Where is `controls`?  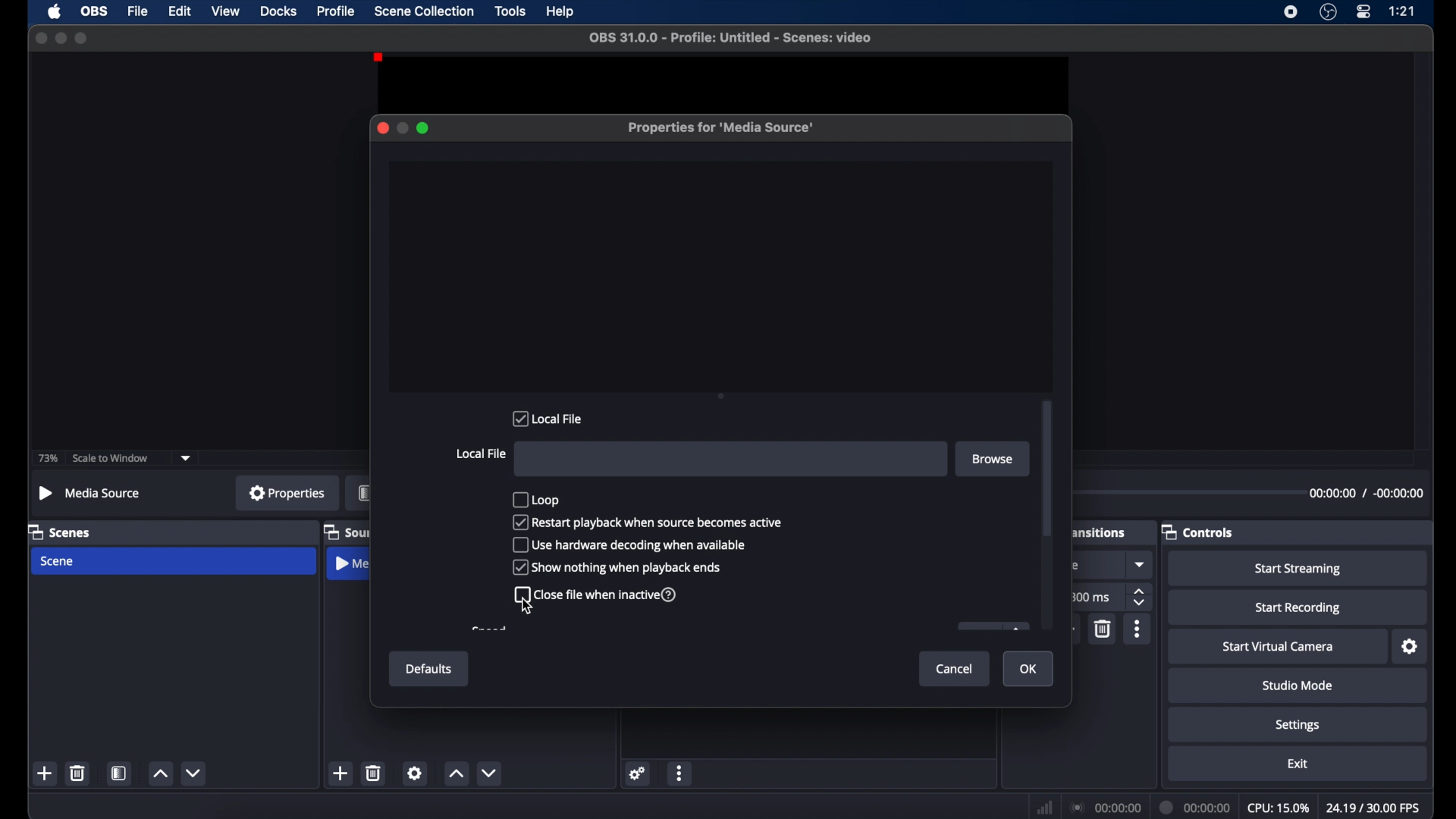 controls is located at coordinates (1200, 532).